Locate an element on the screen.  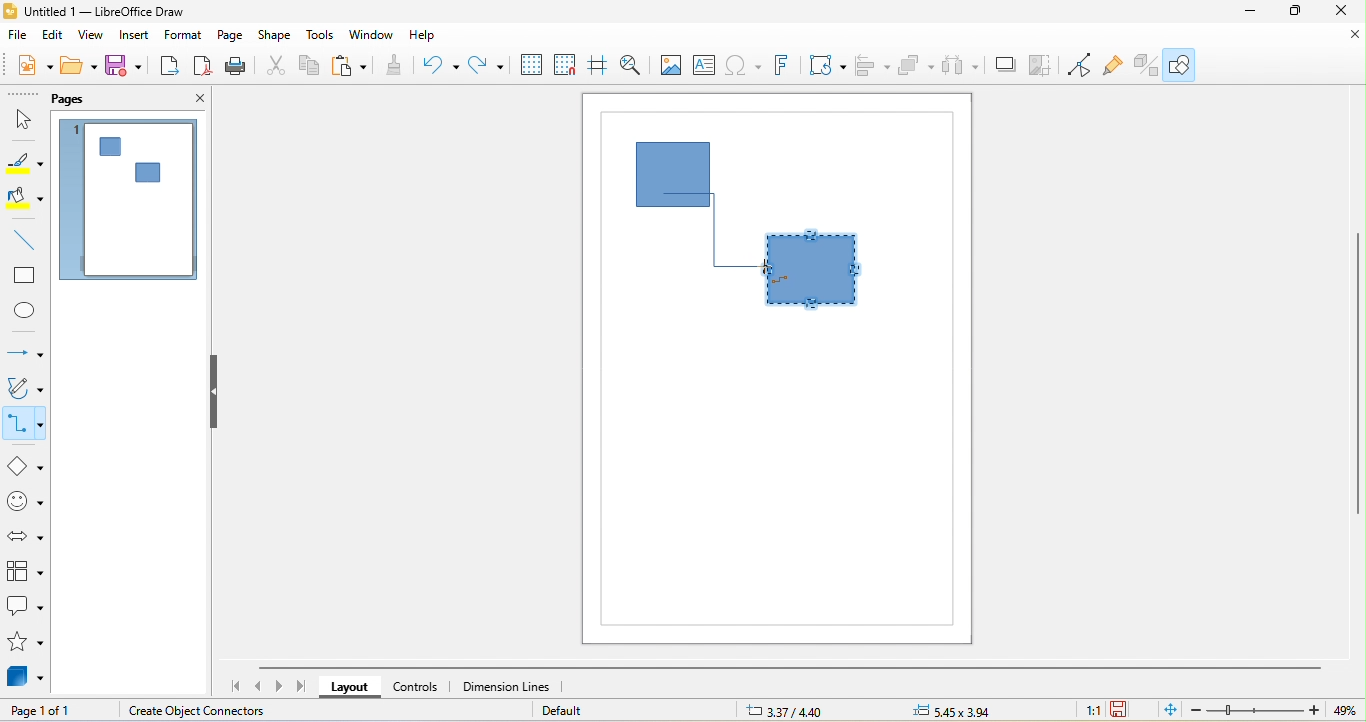
5.45 x 3.94 is located at coordinates (977, 712).